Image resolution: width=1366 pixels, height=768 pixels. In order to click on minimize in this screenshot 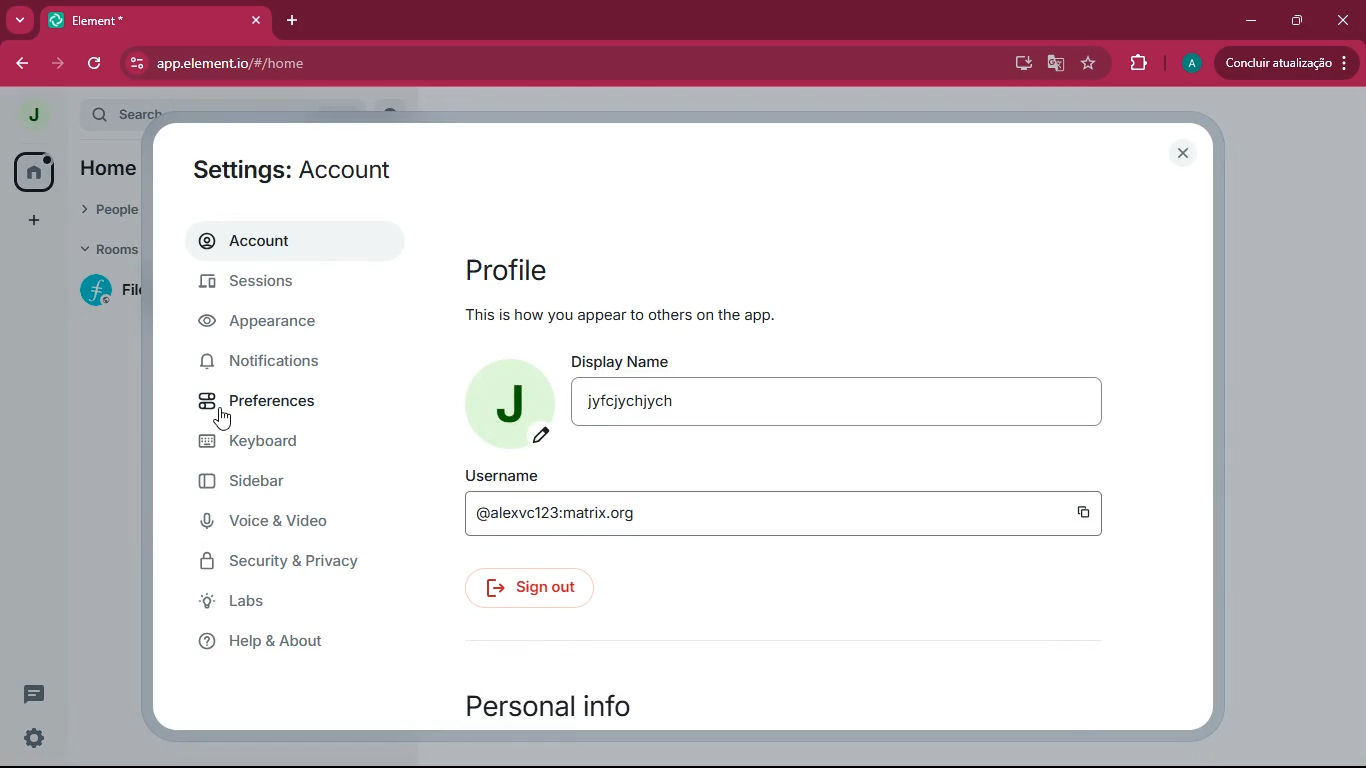, I will do `click(1252, 19)`.